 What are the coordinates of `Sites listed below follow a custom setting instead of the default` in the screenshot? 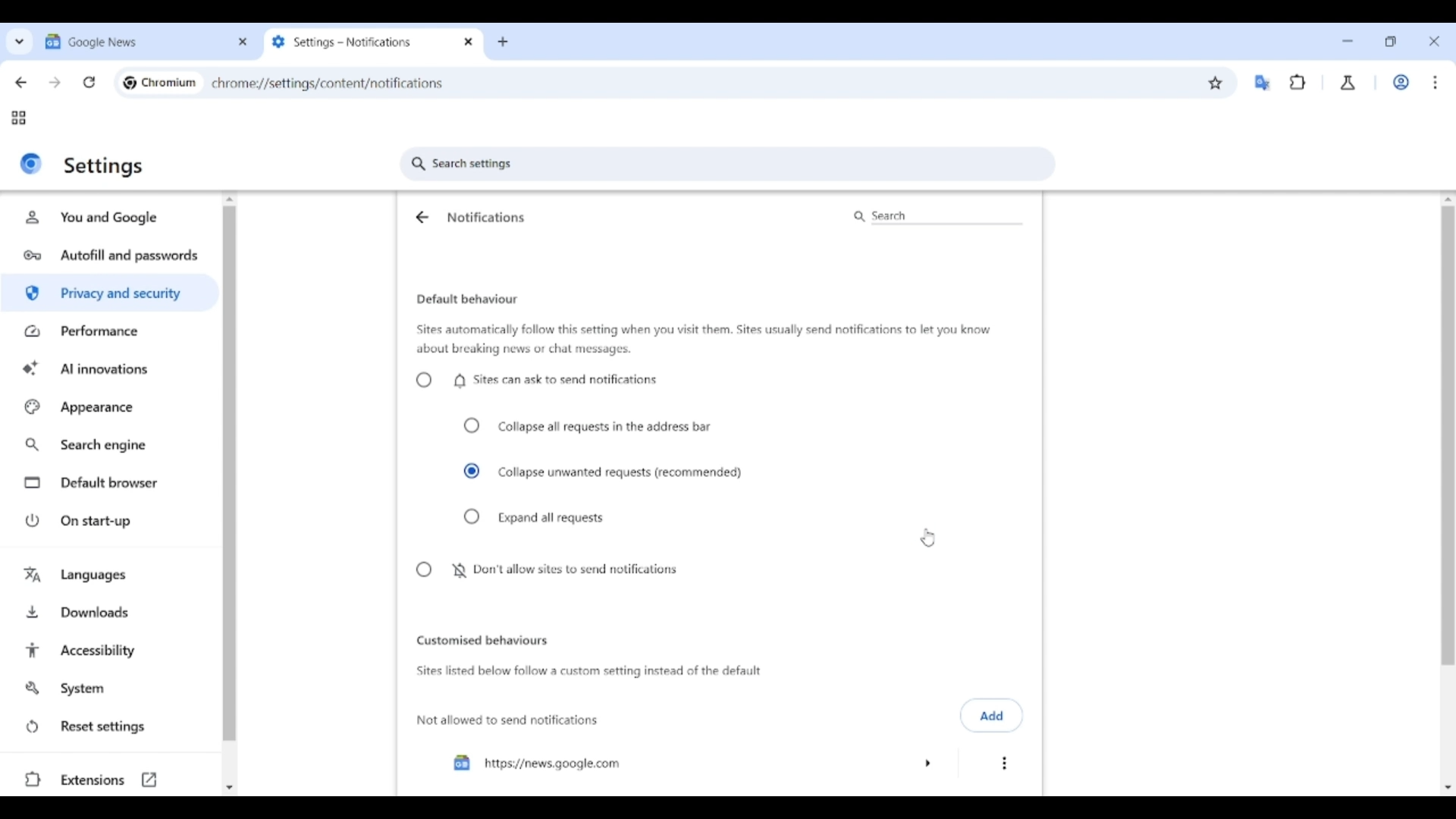 It's located at (587, 672).